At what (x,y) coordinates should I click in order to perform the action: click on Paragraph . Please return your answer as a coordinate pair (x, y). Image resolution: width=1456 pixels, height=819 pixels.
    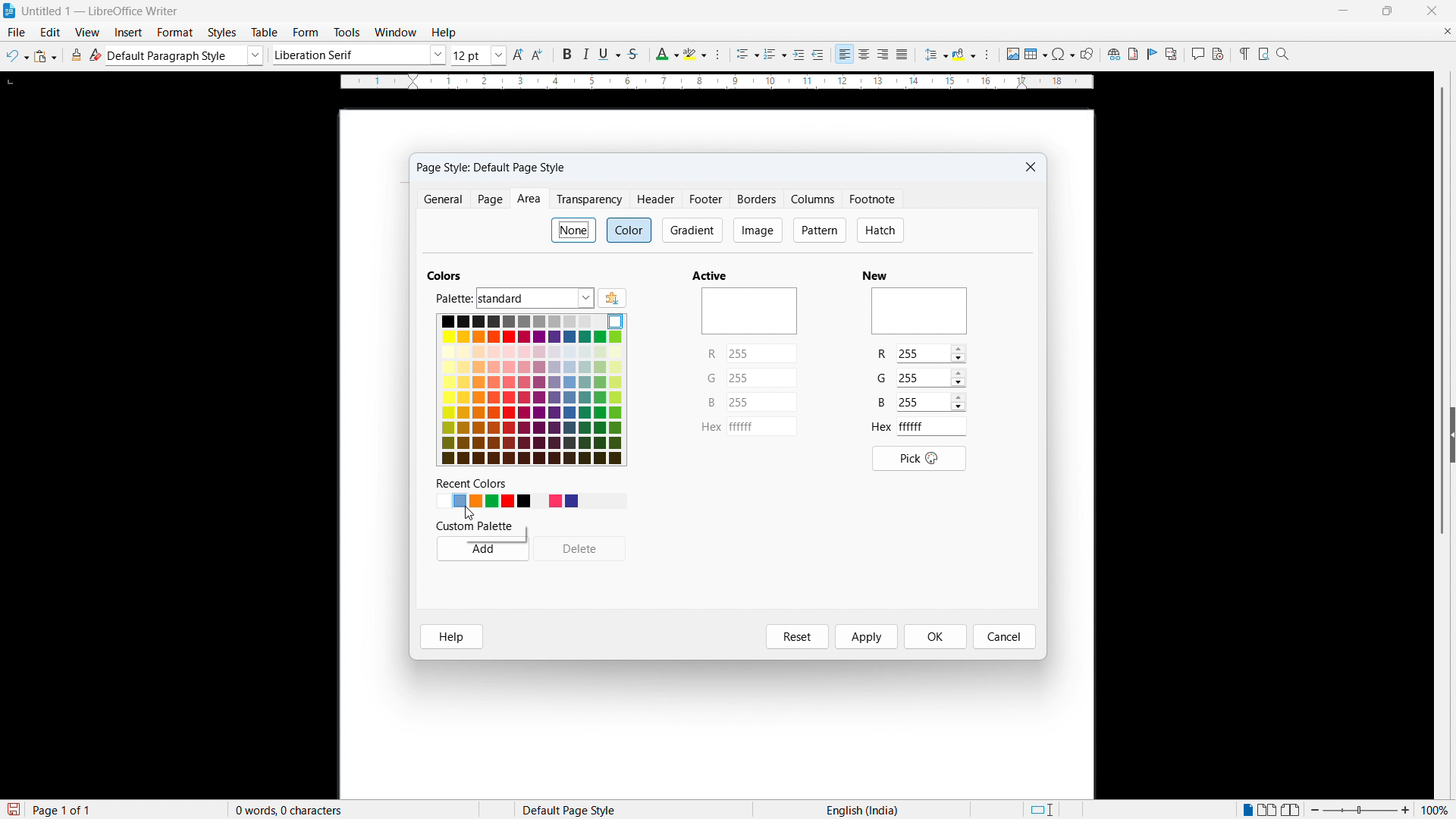
    Looking at the image, I should click on (986, 55).